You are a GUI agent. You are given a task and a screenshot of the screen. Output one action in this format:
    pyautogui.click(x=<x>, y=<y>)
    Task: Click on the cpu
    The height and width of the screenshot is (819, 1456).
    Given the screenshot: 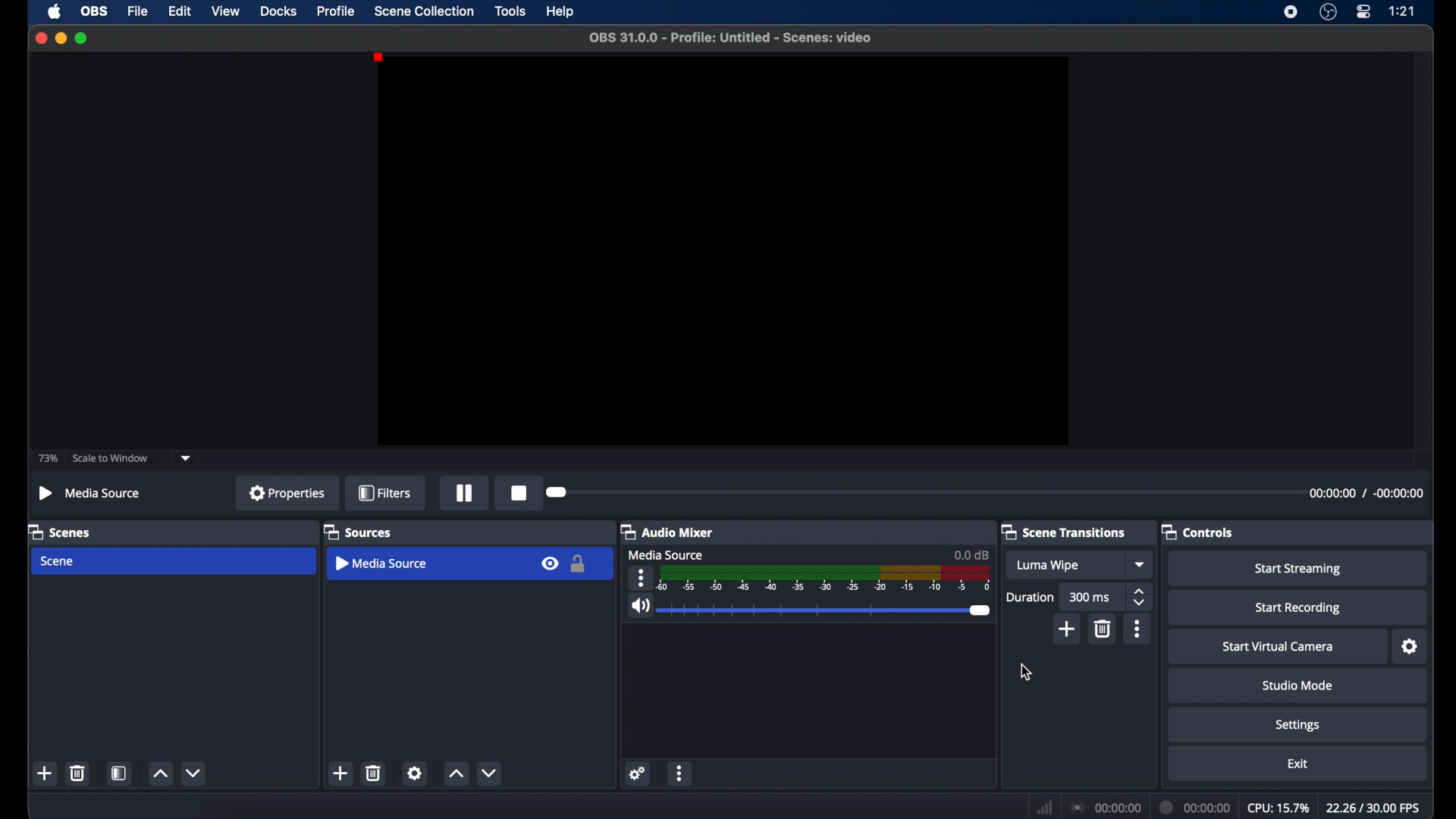 What is the action you would take?
    pyautogui.click(x=1278, y=807)
    